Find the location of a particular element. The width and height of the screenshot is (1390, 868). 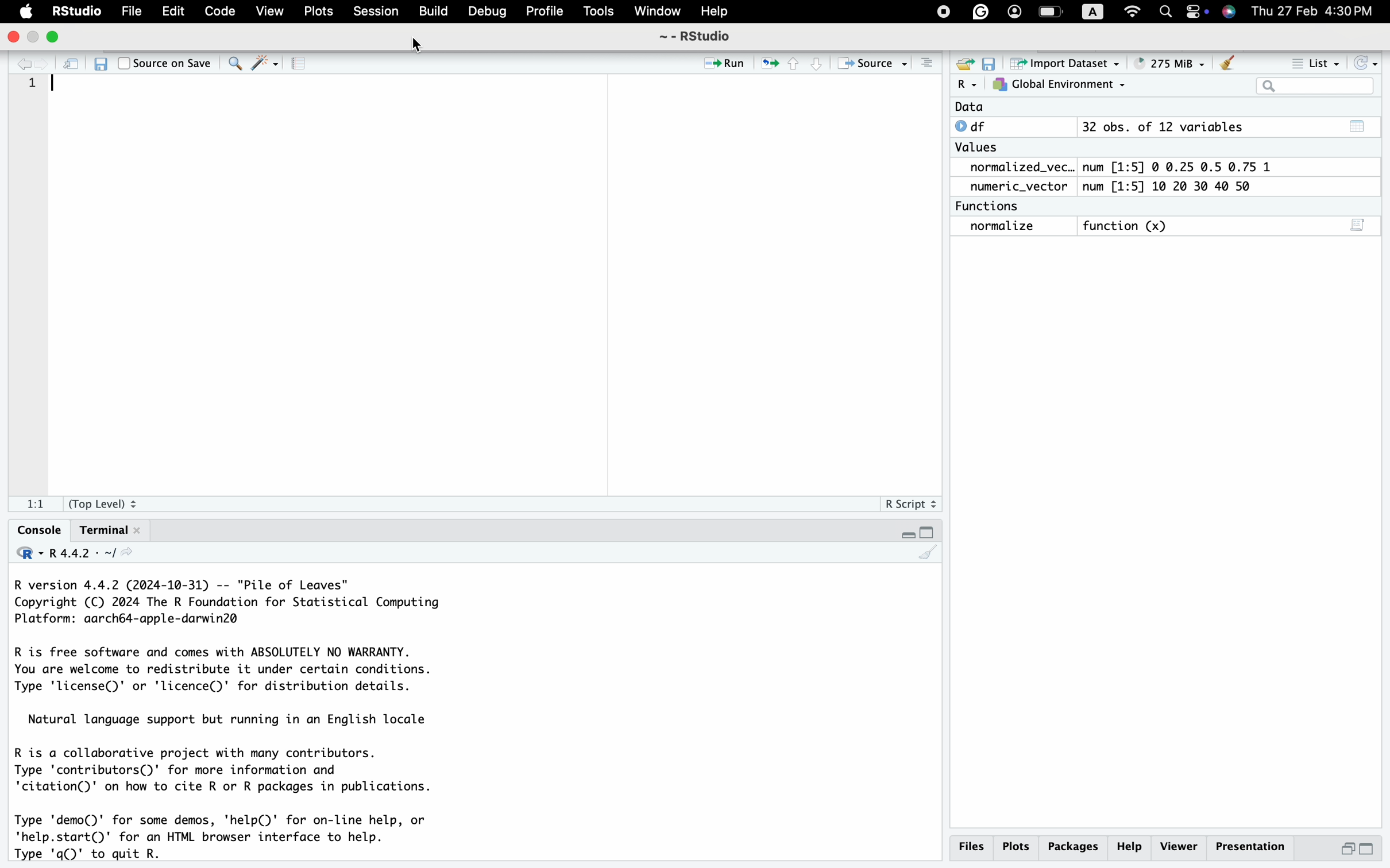

apple logo is located at coordinates (19, 12).